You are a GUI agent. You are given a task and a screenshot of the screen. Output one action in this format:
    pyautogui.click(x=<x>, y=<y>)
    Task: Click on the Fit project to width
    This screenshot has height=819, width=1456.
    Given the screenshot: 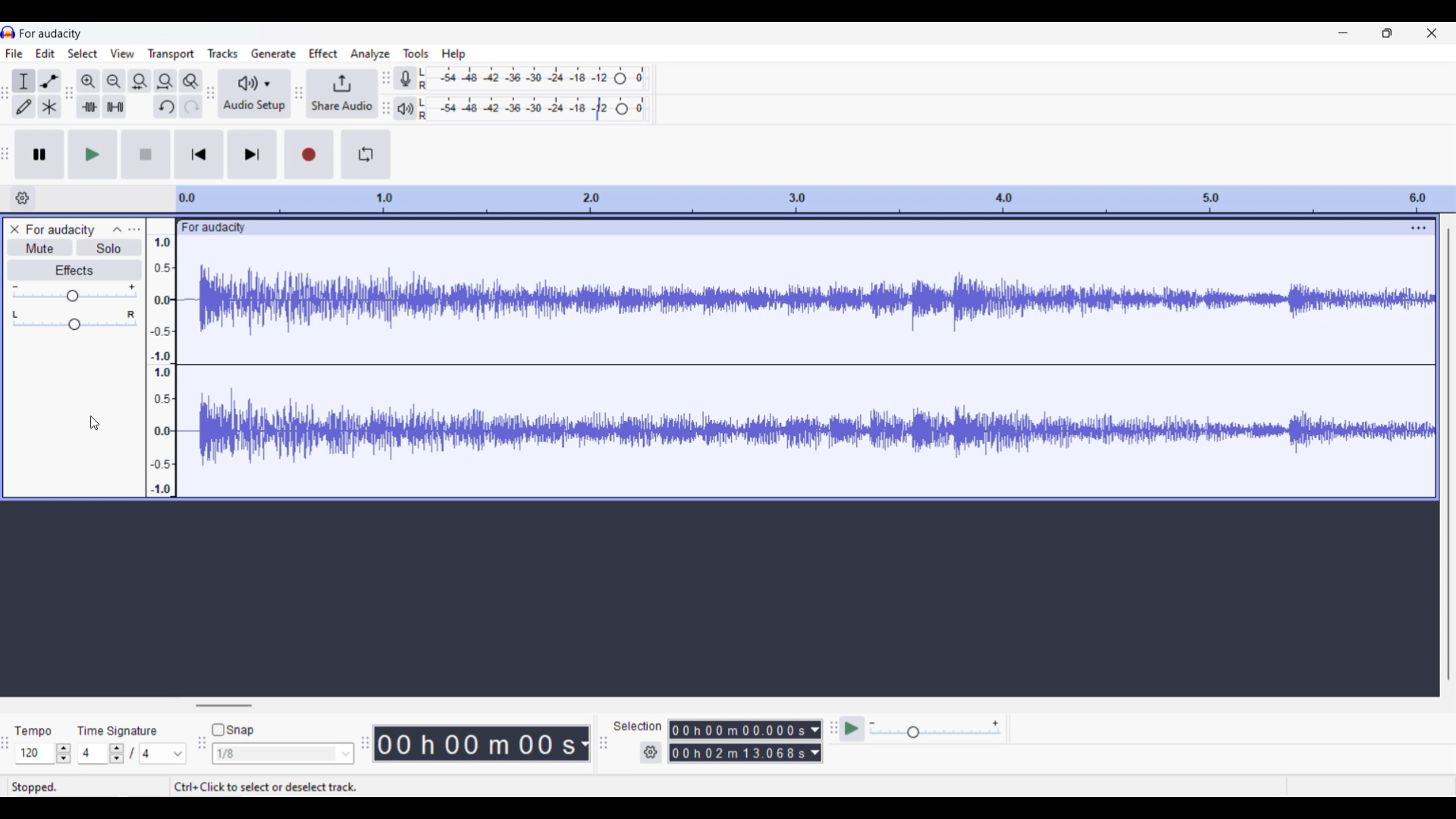 What is the action you would take?
    pyautogui.click(x=165, y=80)
    